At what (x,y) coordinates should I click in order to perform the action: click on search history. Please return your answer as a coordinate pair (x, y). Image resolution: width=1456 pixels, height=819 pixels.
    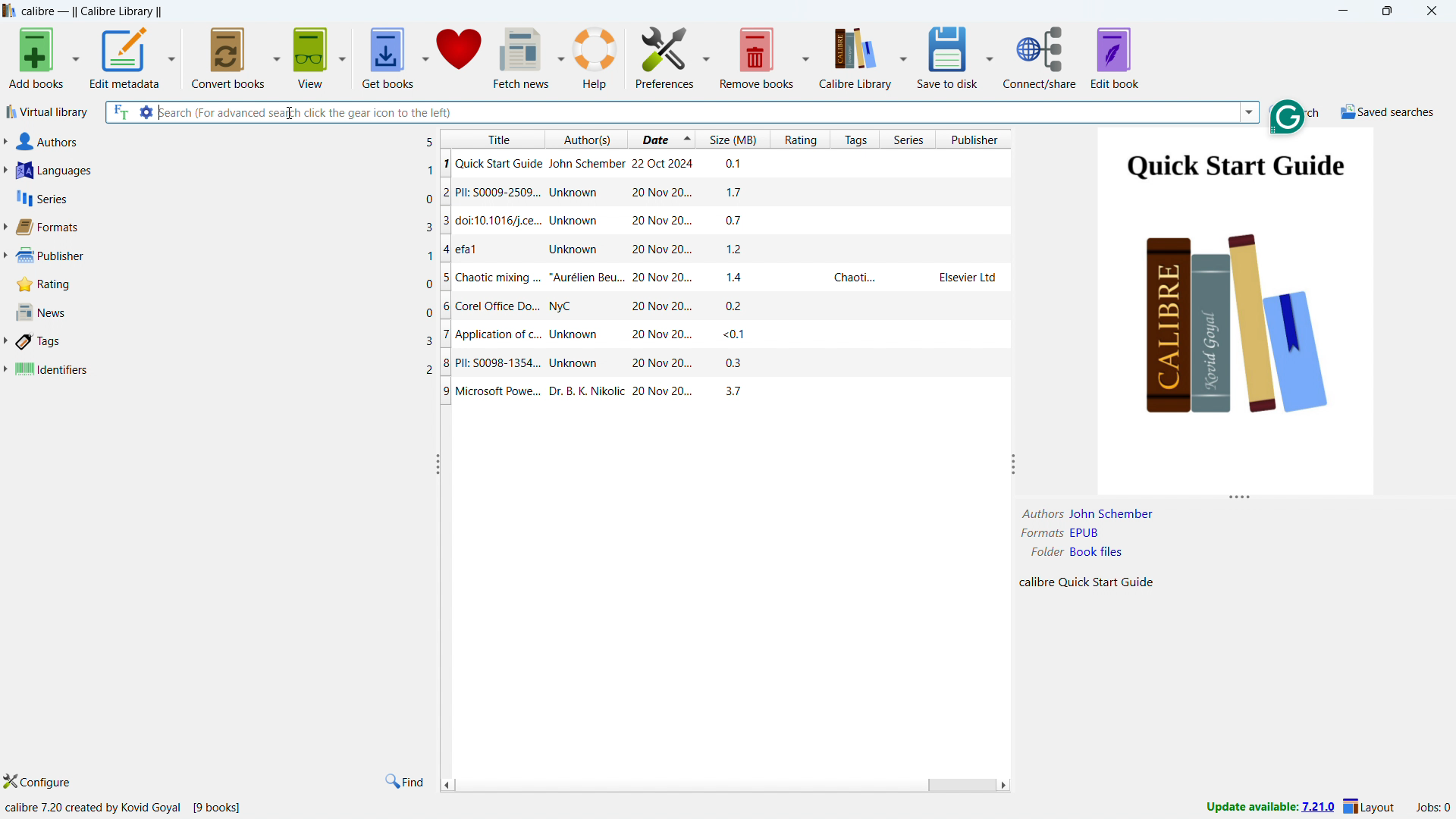
    Looking at the image, I should click on (1249, 111).